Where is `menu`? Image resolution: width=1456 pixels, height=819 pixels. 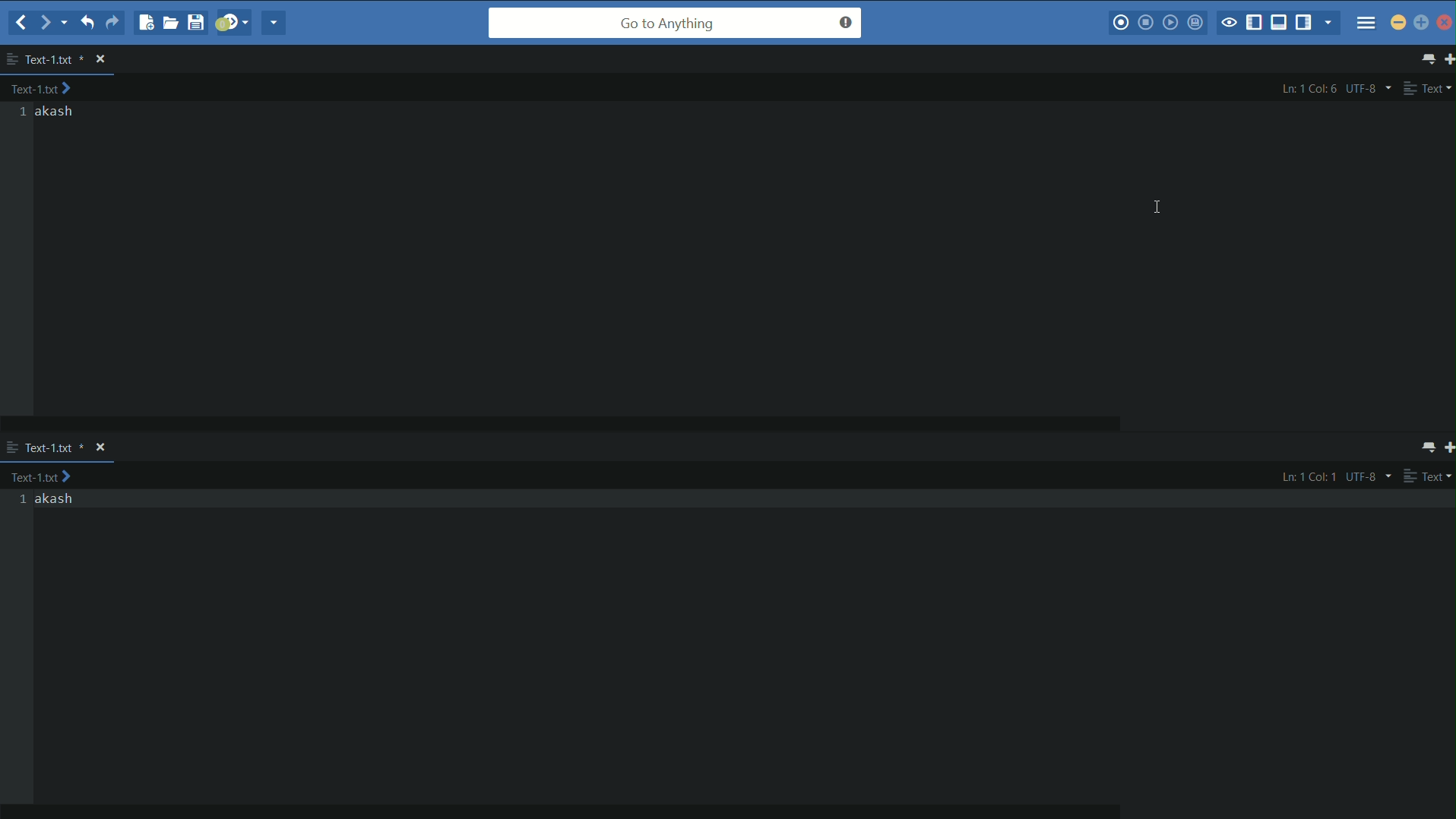 menu is located at coordinates (1366, 23).